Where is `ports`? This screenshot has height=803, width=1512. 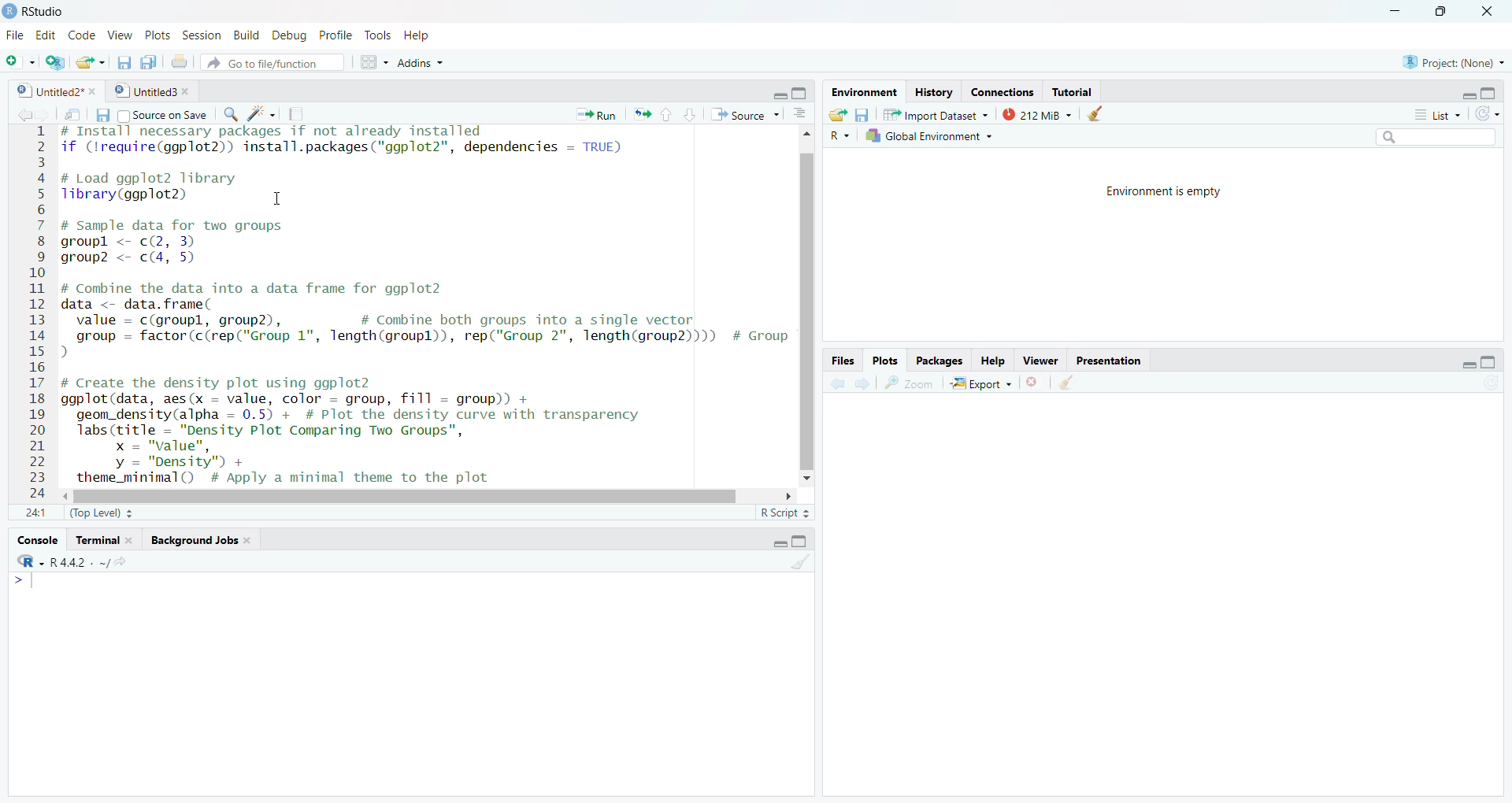 ports is located at coordinates (159, 35).